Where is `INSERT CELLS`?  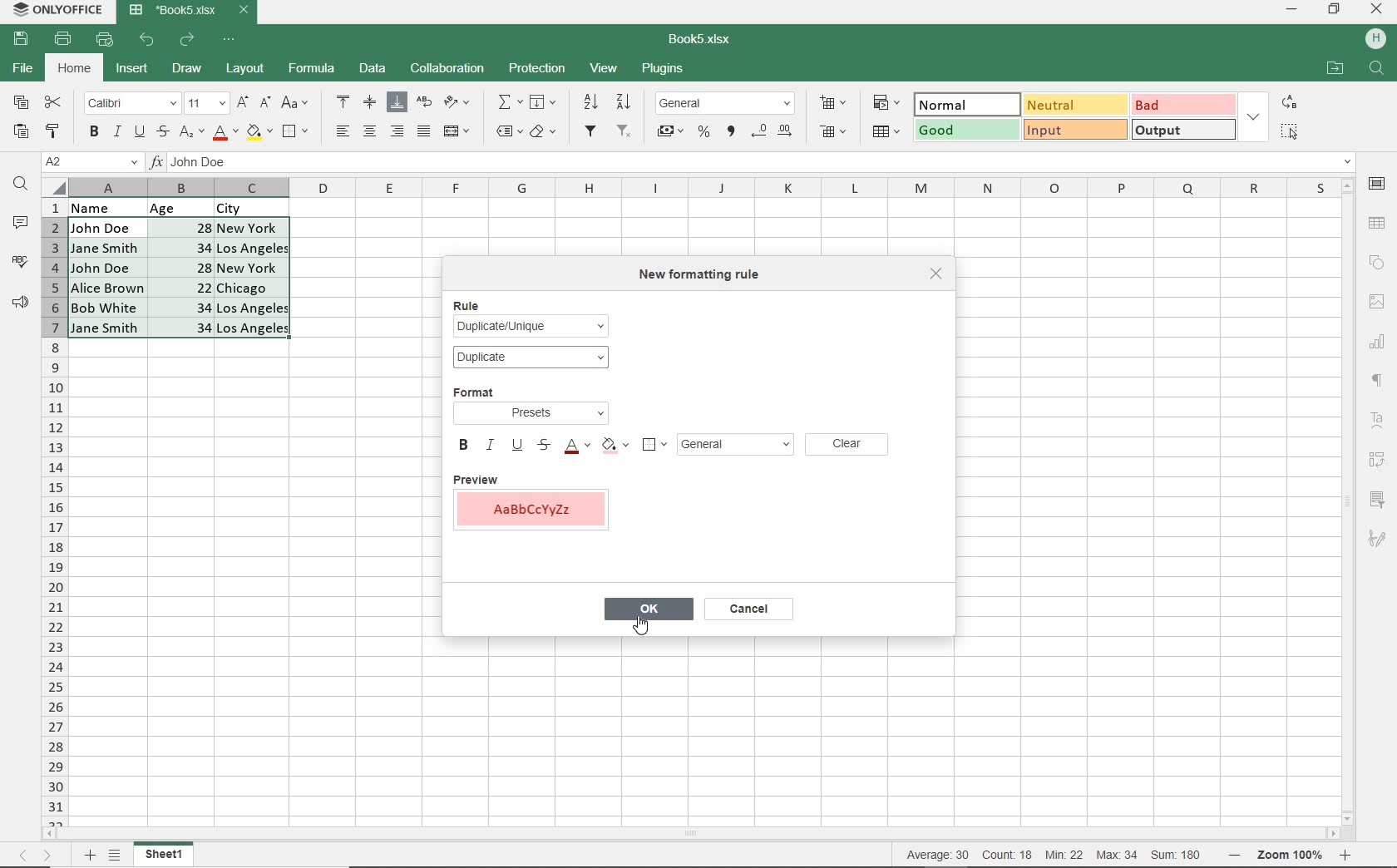 INSERT CELLS is located at coordinates (837, 101).